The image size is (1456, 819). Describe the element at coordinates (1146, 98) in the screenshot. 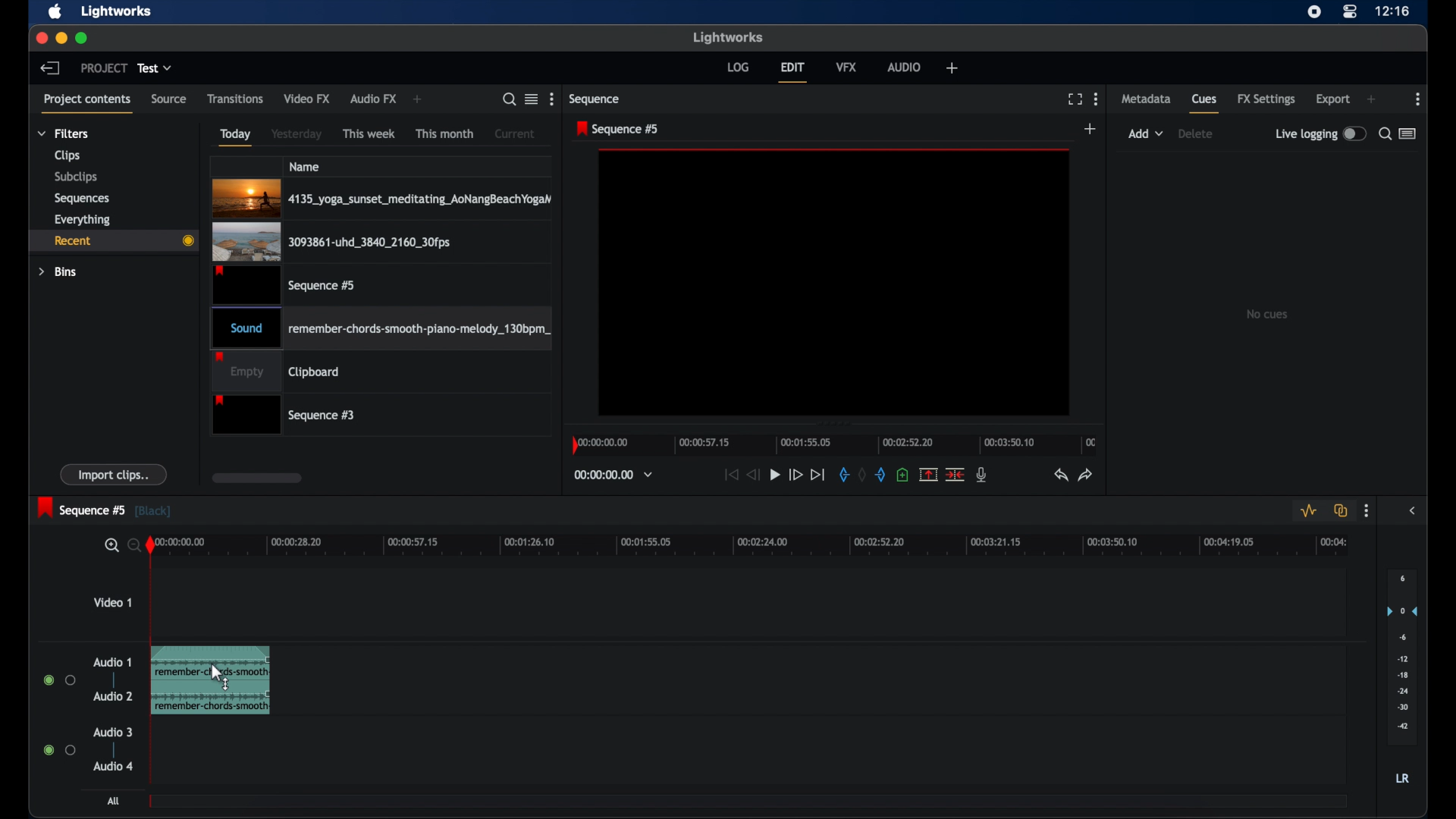

I see `metadata` at that location.